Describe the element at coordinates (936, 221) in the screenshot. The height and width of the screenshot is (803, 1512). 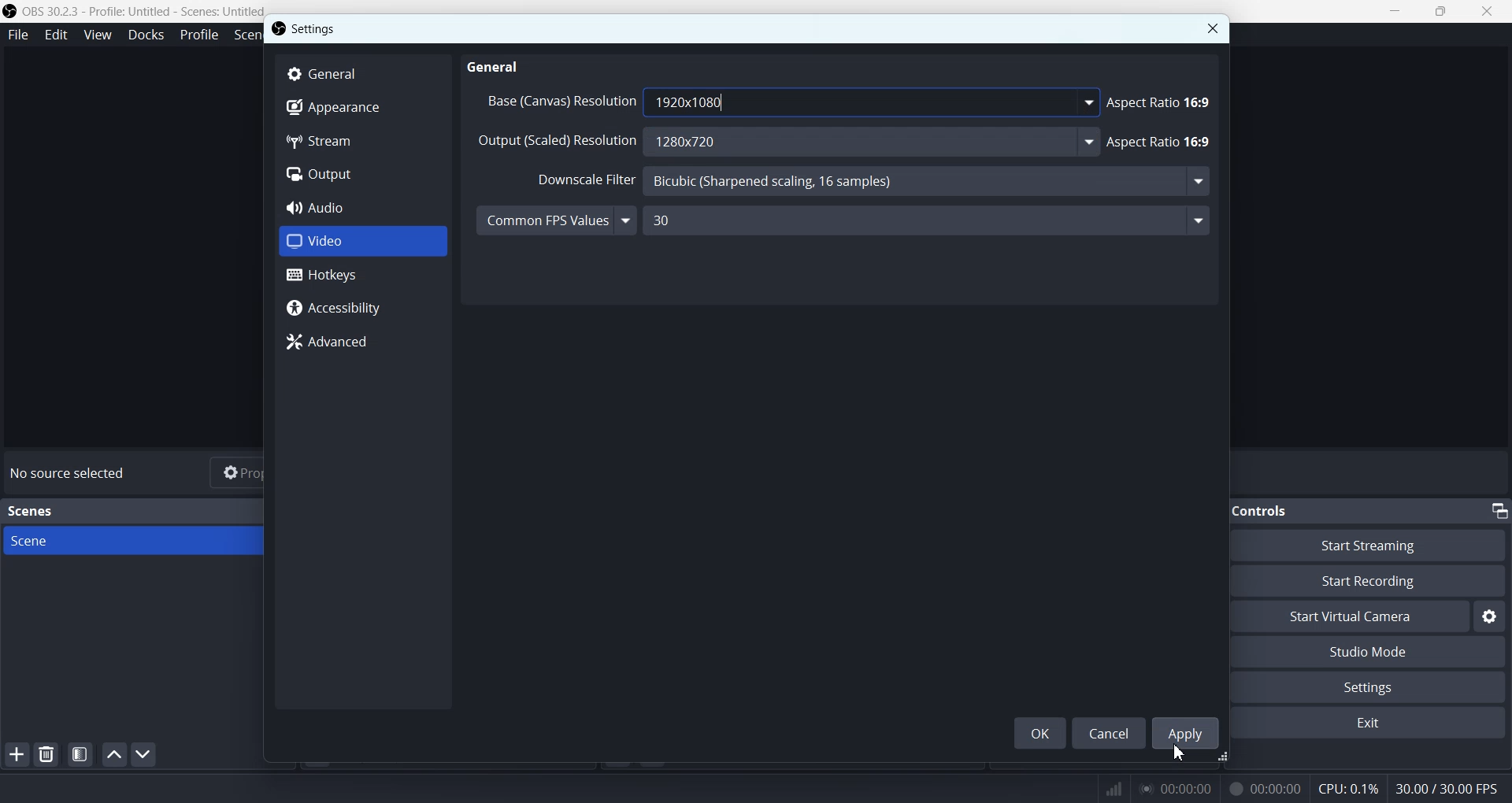
I see `30 ` at that location.